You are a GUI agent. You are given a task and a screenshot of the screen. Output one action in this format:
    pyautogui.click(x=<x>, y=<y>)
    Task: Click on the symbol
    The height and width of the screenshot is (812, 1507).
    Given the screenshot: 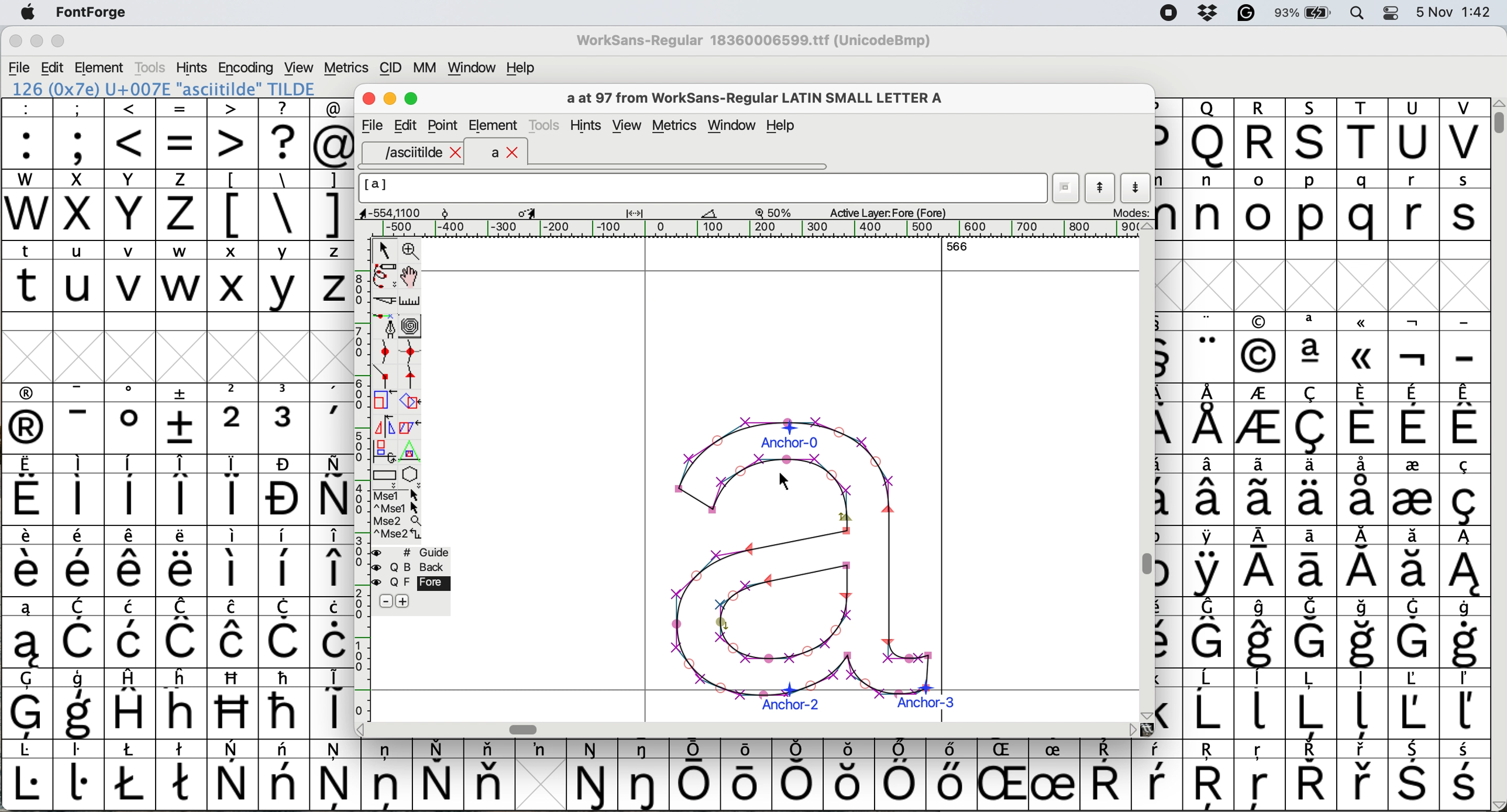 What is the action you would take?
    pyautogui.click(x=1463, y=490)
    